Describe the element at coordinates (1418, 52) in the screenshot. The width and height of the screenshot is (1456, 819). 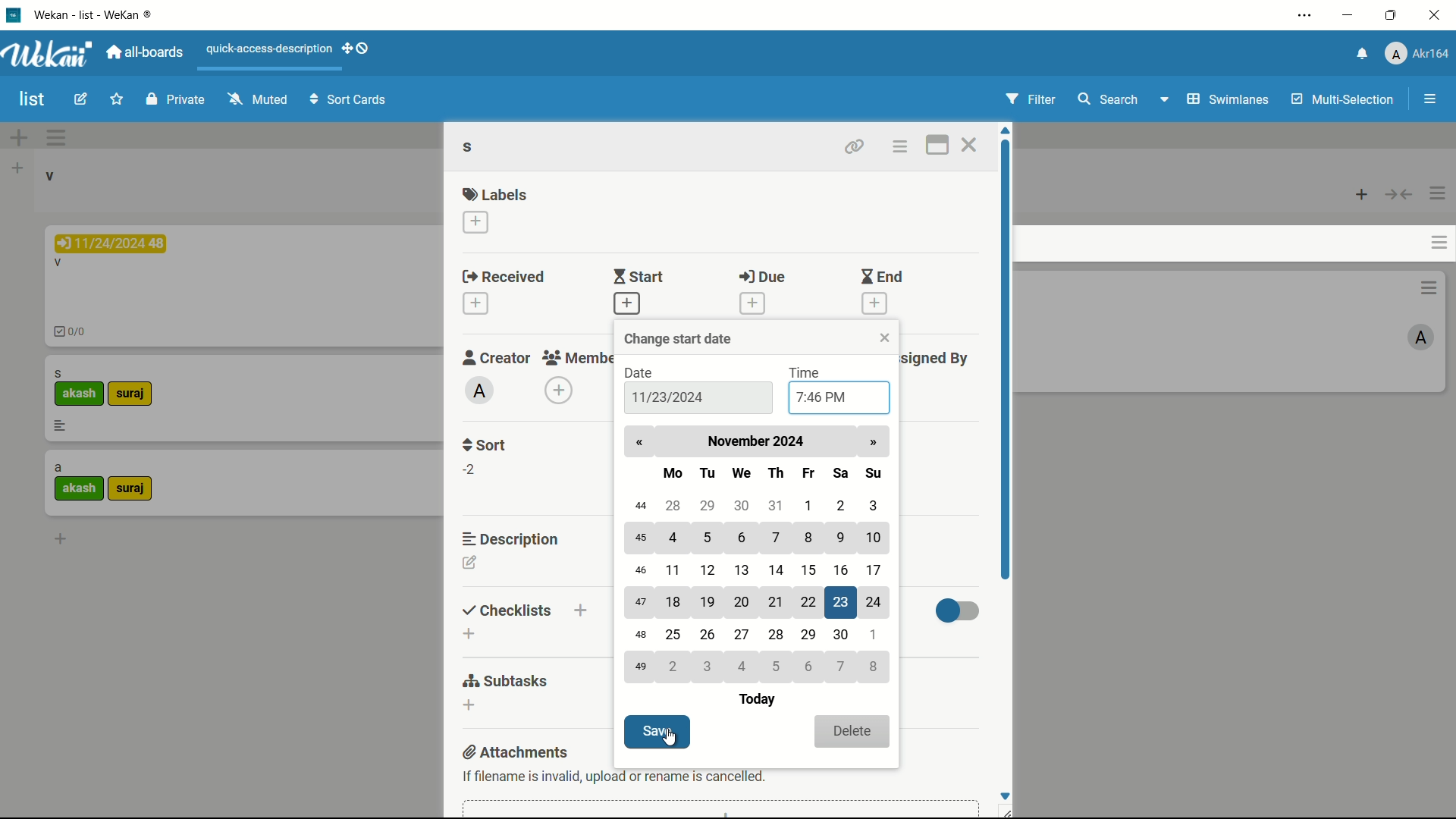
I see `profile` at that location.